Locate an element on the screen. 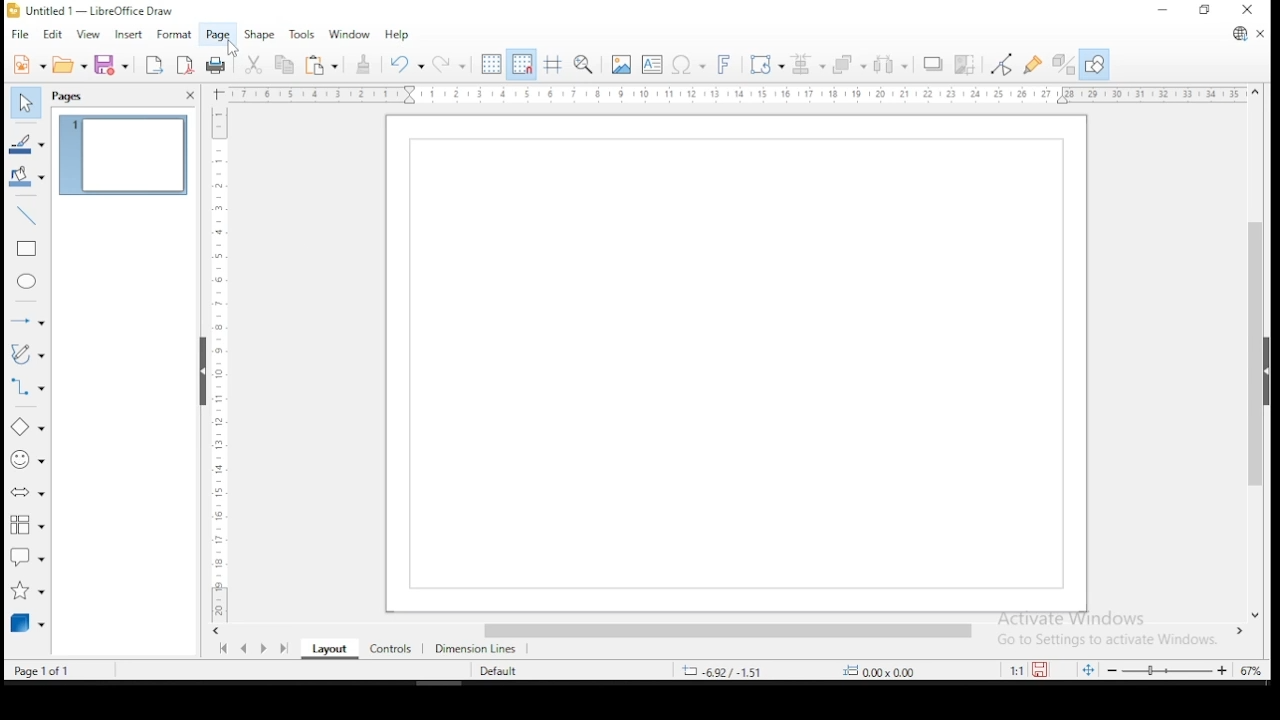  save is located at coordinates (1045, 669).